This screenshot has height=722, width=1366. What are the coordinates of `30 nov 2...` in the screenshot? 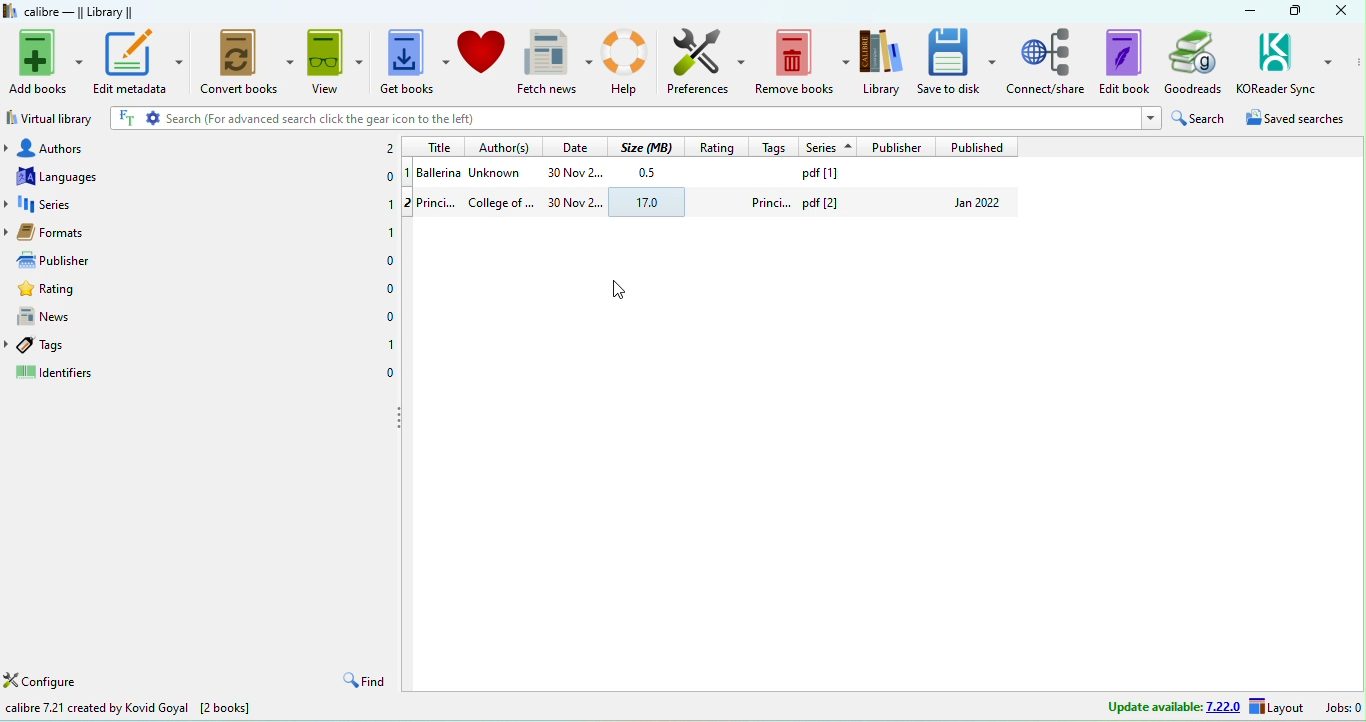 It's located at (576, 202).